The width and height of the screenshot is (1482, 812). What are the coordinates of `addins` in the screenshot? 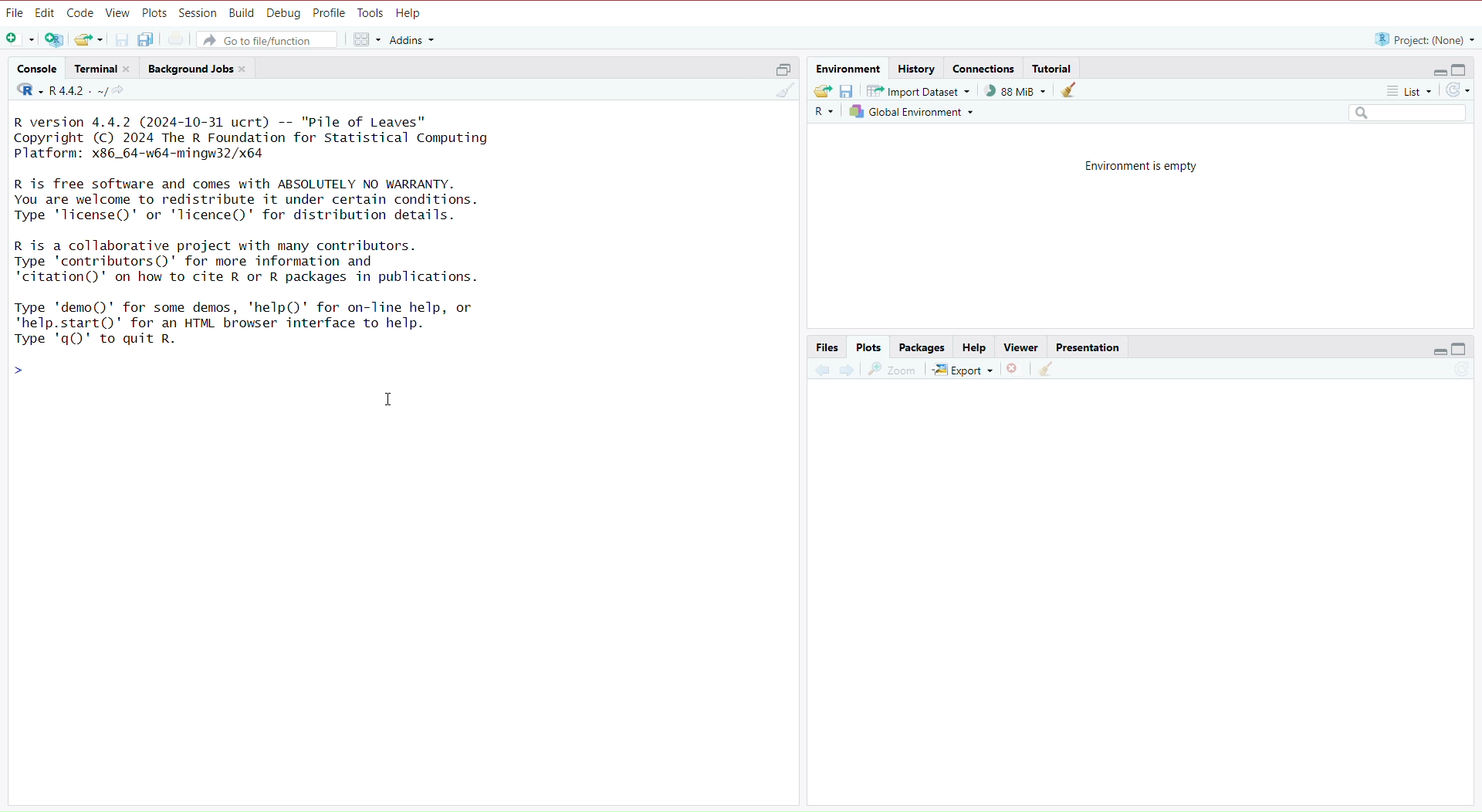 It's located at (413, 39).